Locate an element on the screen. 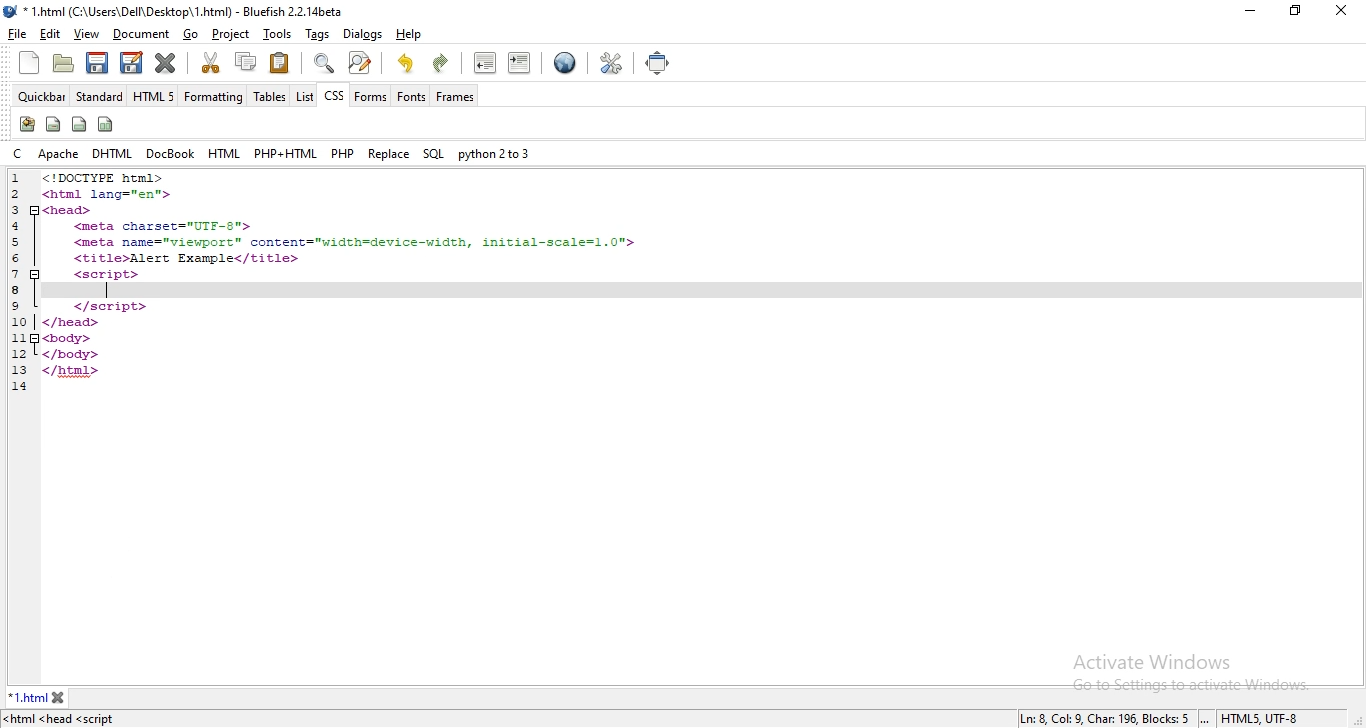  full screen is located at coordinates (663, 64).